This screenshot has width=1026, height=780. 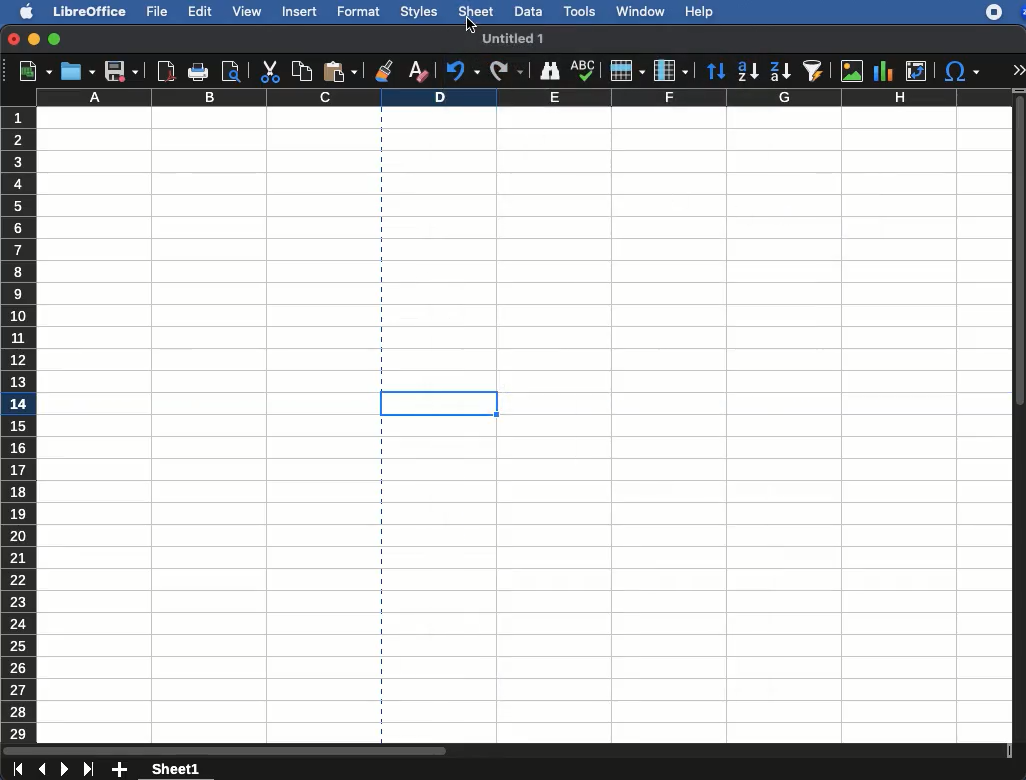 What do you see at coordinates (122, 71) in the screenshot?
I see `save` at bounding box center [122, 71].